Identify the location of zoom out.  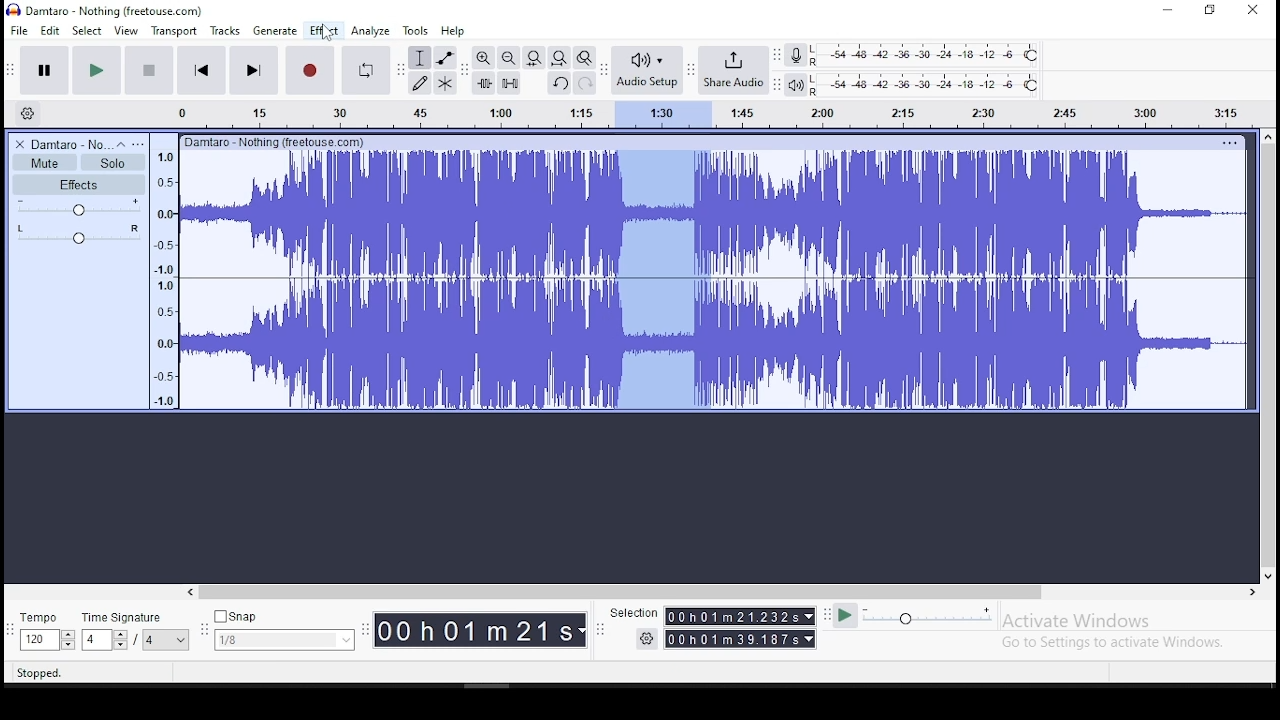
(508, 57).